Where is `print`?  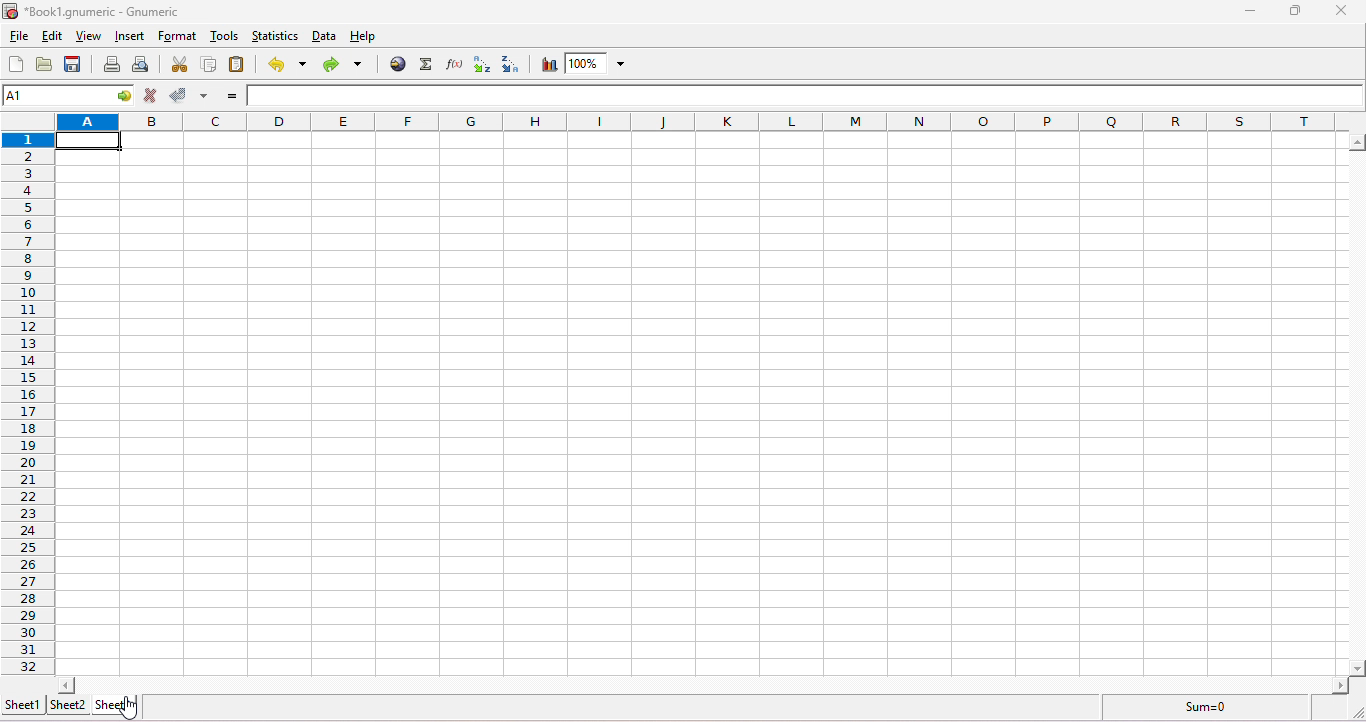
print is located at coordinates (112, 66).